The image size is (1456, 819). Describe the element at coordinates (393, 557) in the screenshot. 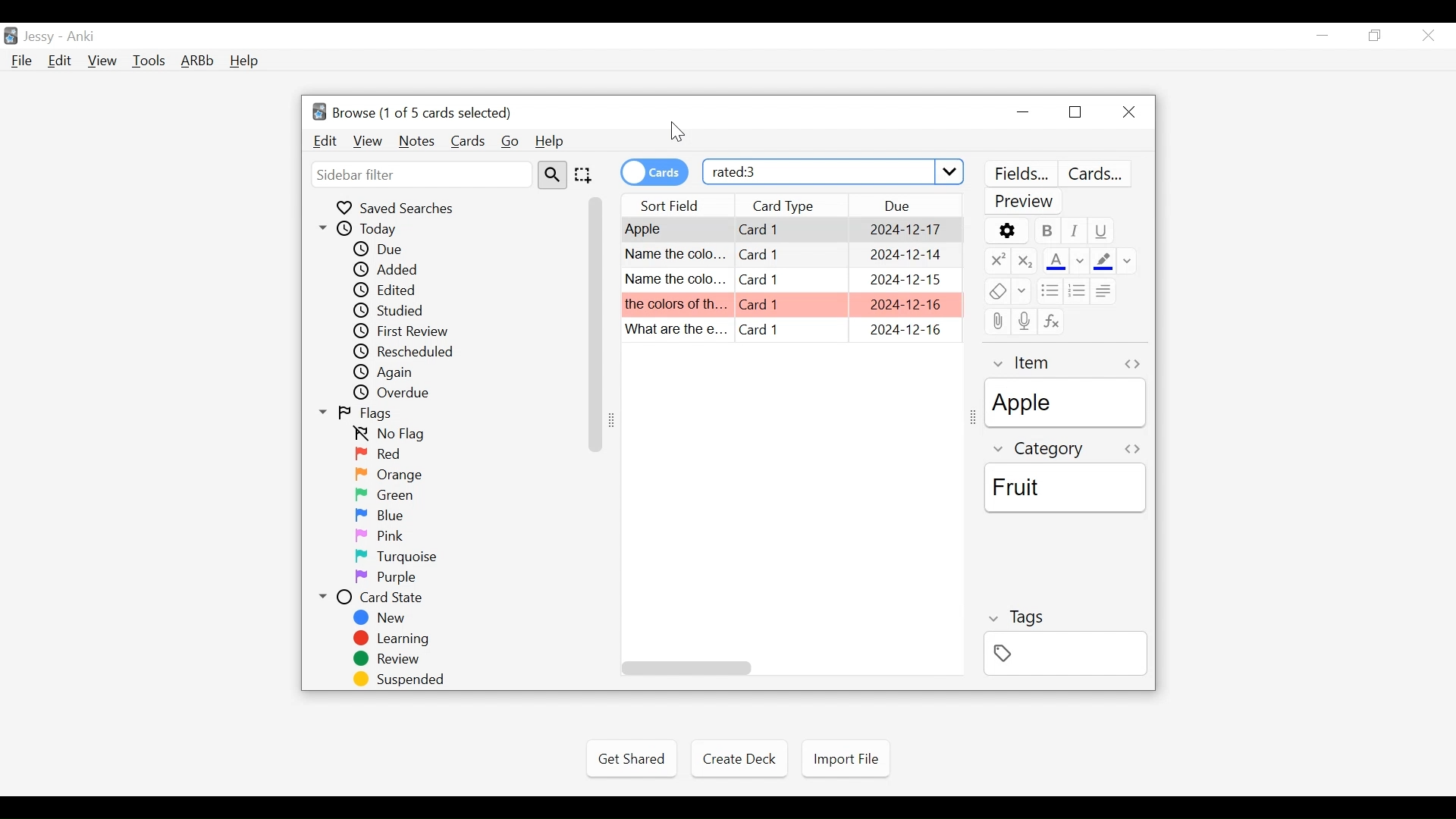

I see `Turquoise` at that location.